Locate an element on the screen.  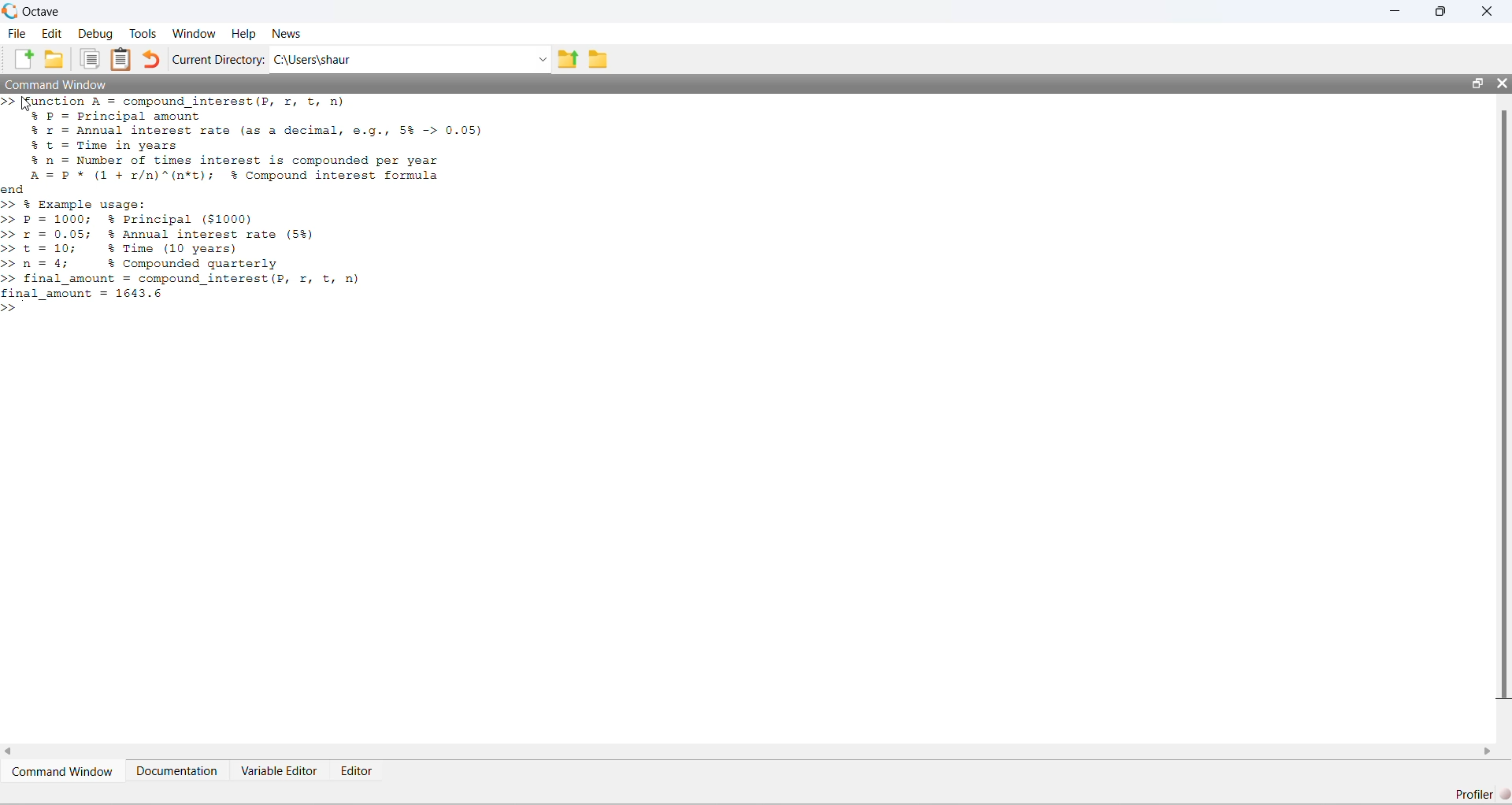
Undo is located at coordinates (150, 59).